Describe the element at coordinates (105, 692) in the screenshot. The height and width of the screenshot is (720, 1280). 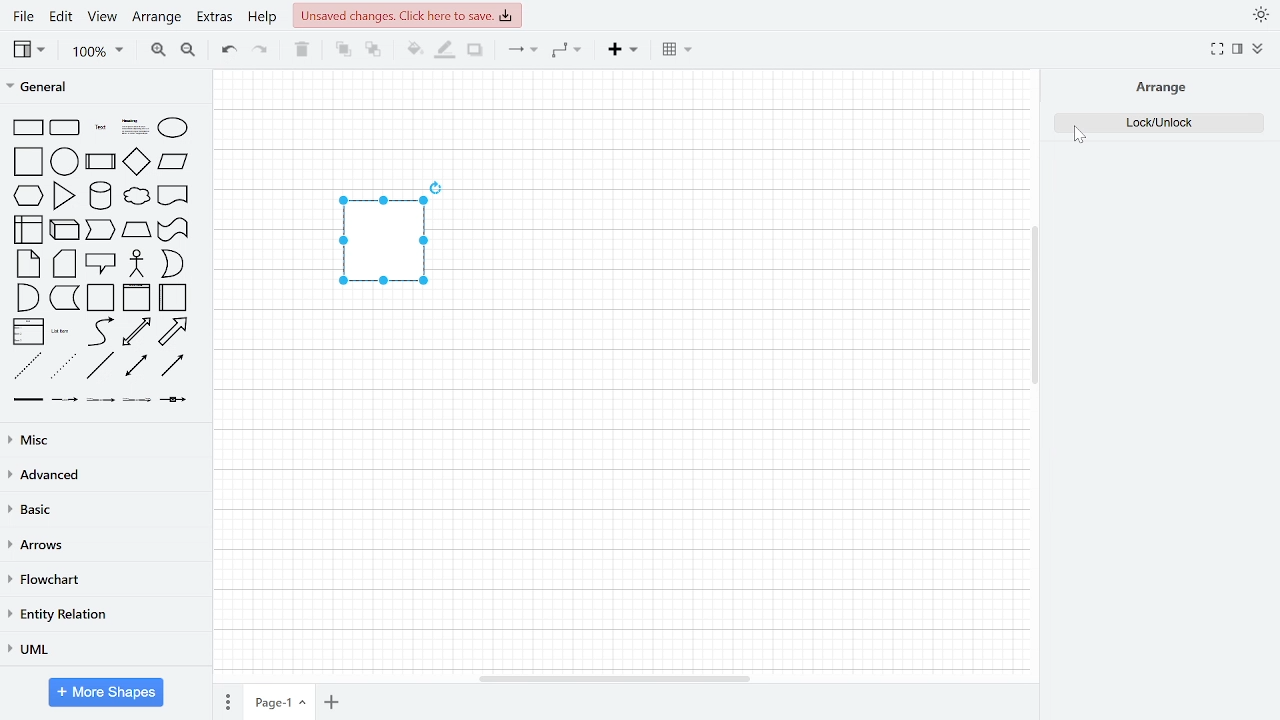
I see `more shapes` at that location.